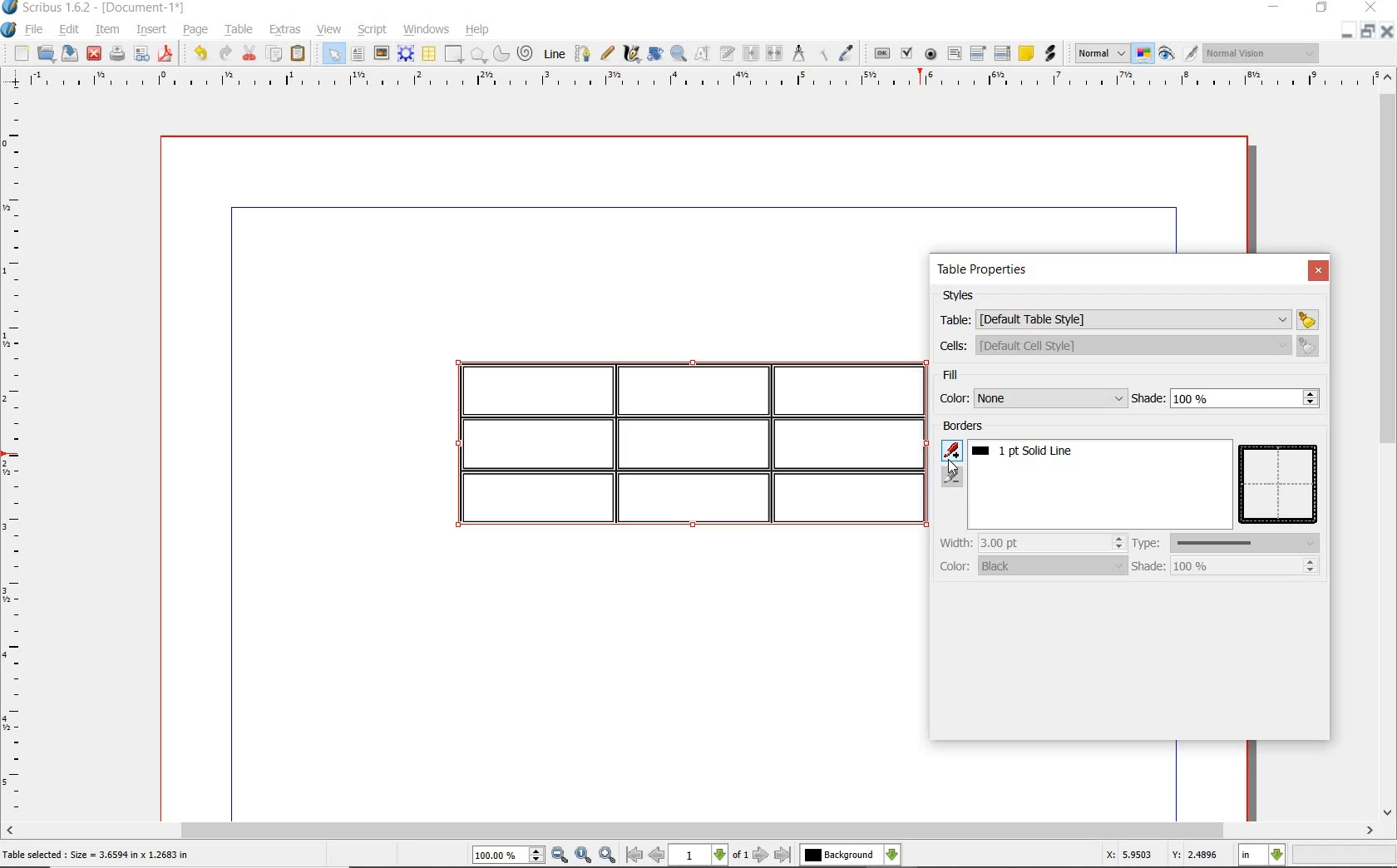 The height and width of the screenshot is (868, 1397). I want to click on type, so click(1229, 542).